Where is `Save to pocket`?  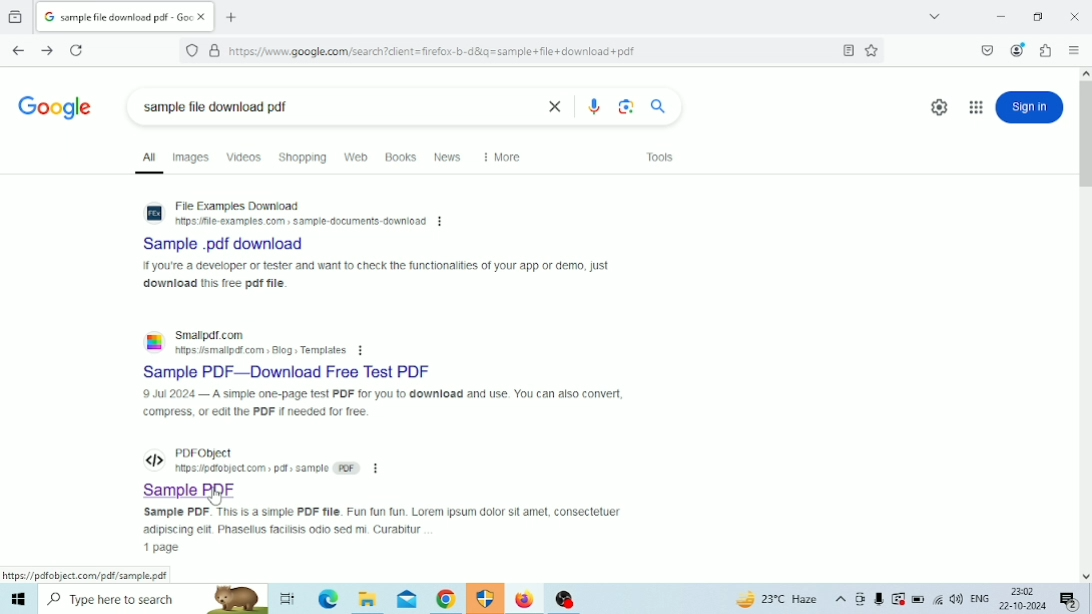 Save to pocket is located at coordinates (988, 51).